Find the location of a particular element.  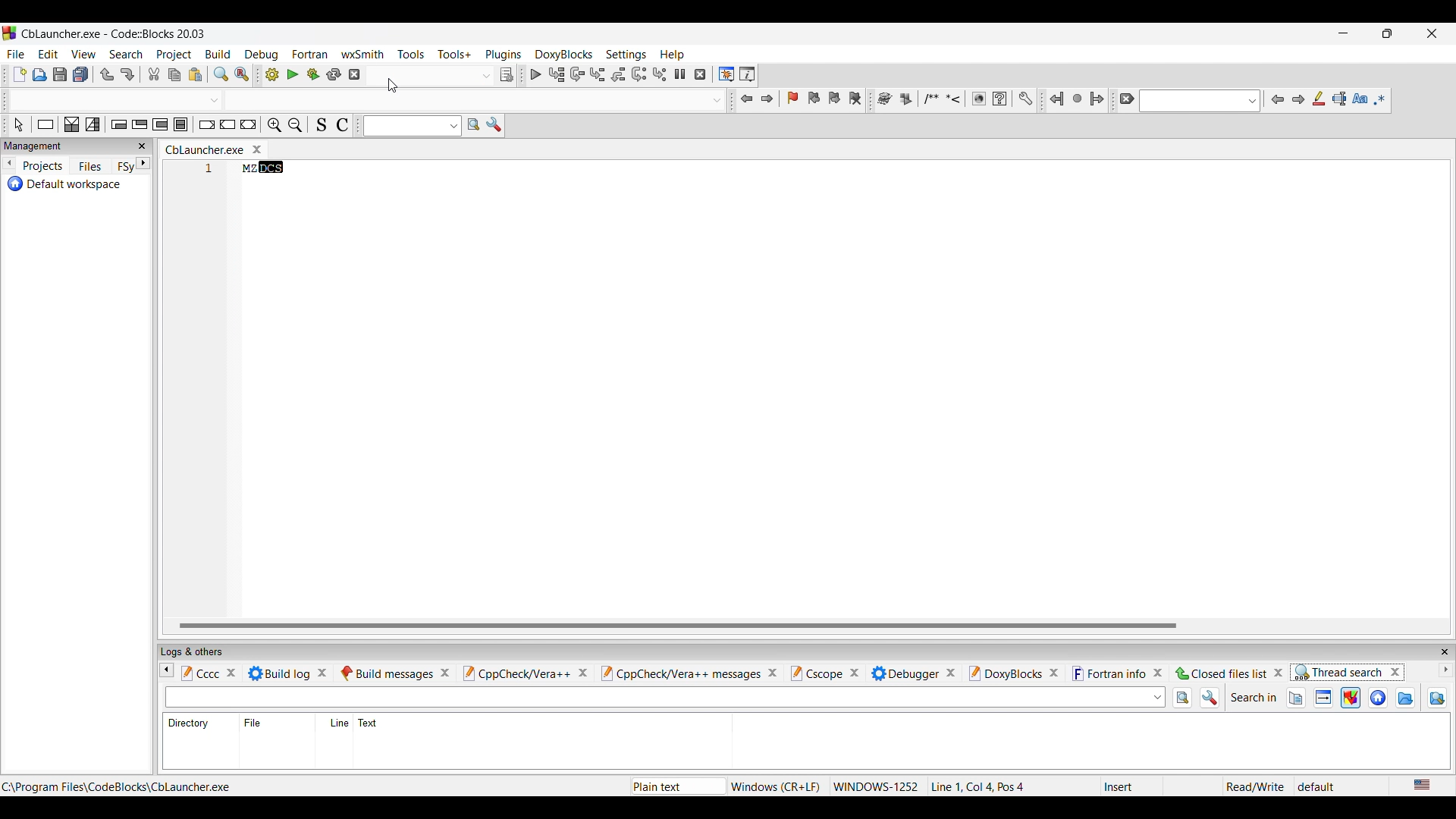

Edit menu is located at coordinates (48, 54).